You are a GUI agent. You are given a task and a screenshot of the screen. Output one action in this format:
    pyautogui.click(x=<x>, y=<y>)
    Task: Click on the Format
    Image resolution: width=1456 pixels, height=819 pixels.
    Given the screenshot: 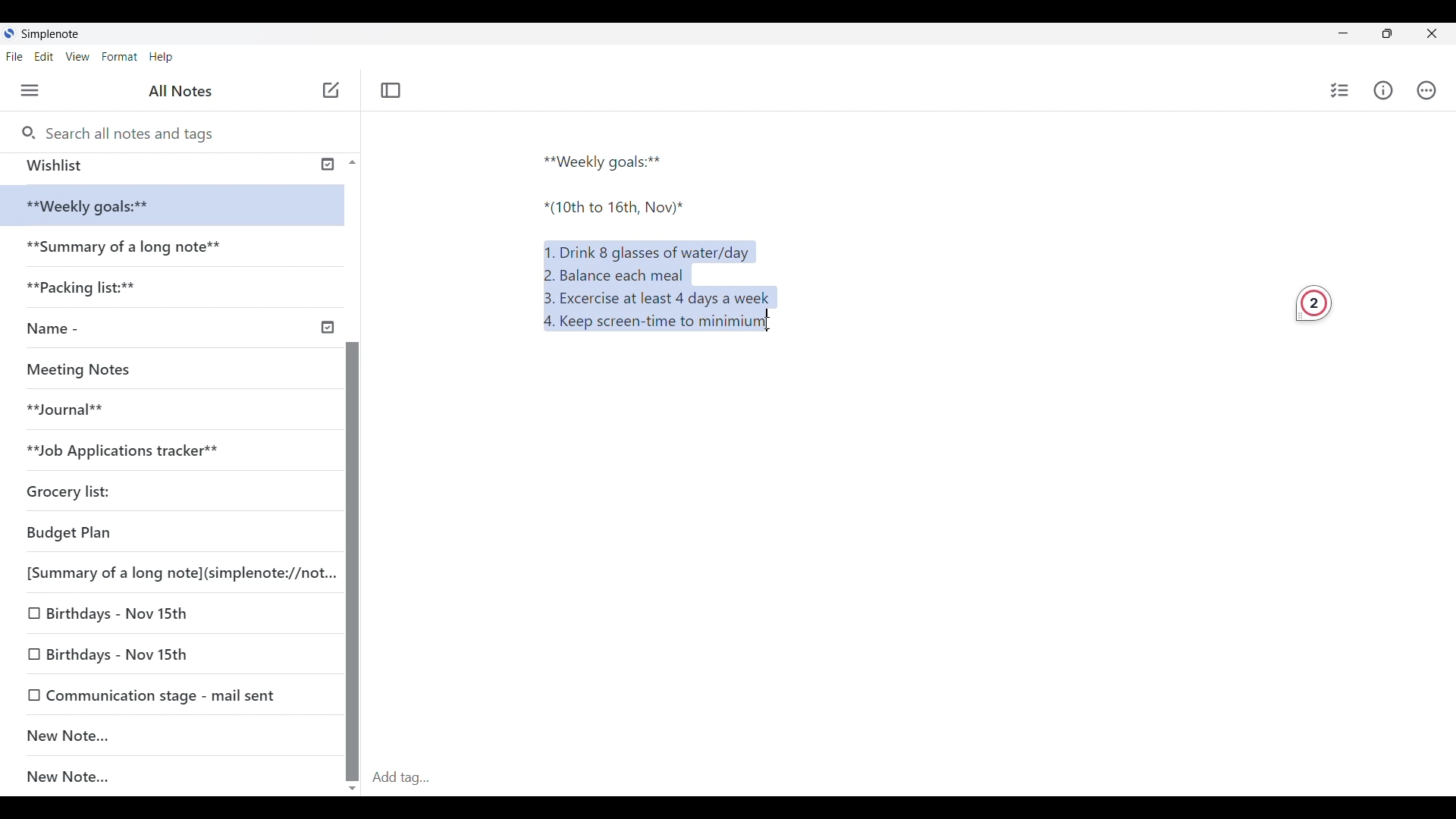 What is the action you would take?
    pyautogui.click(x=120, y=56)
    